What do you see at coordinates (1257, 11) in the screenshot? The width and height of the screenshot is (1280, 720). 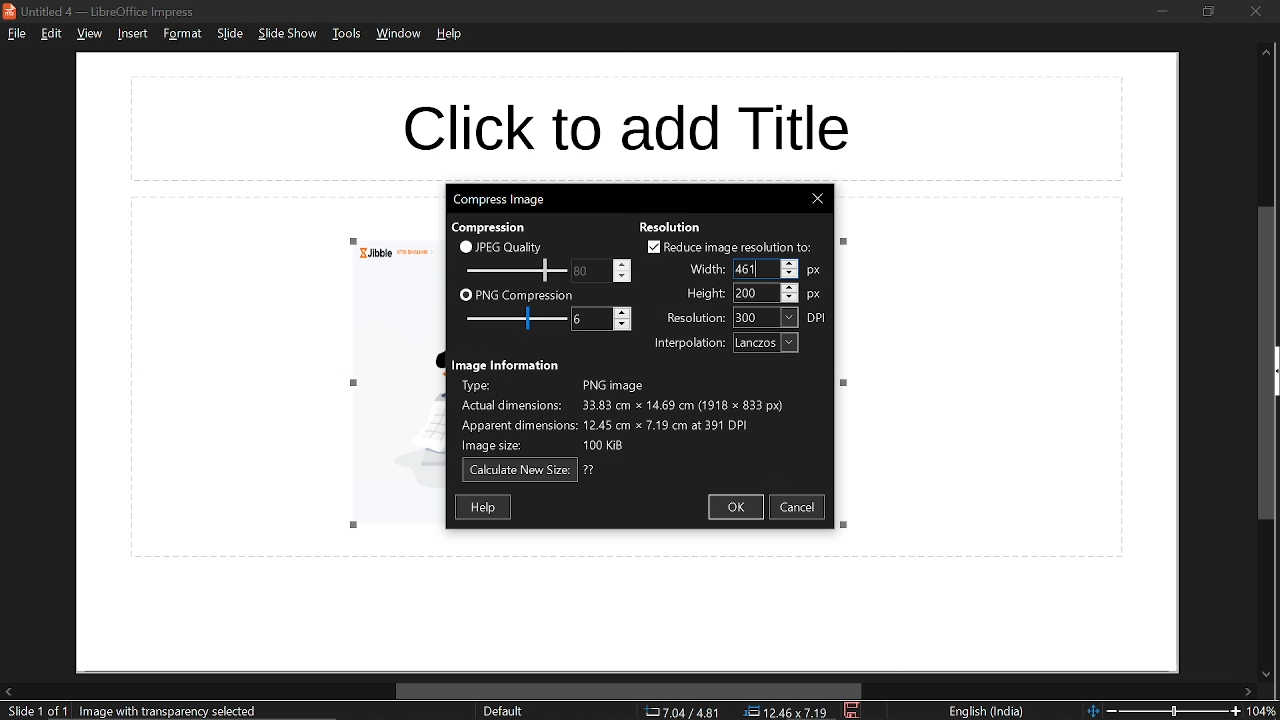 I see `close` at bounding box center [1257, 11].